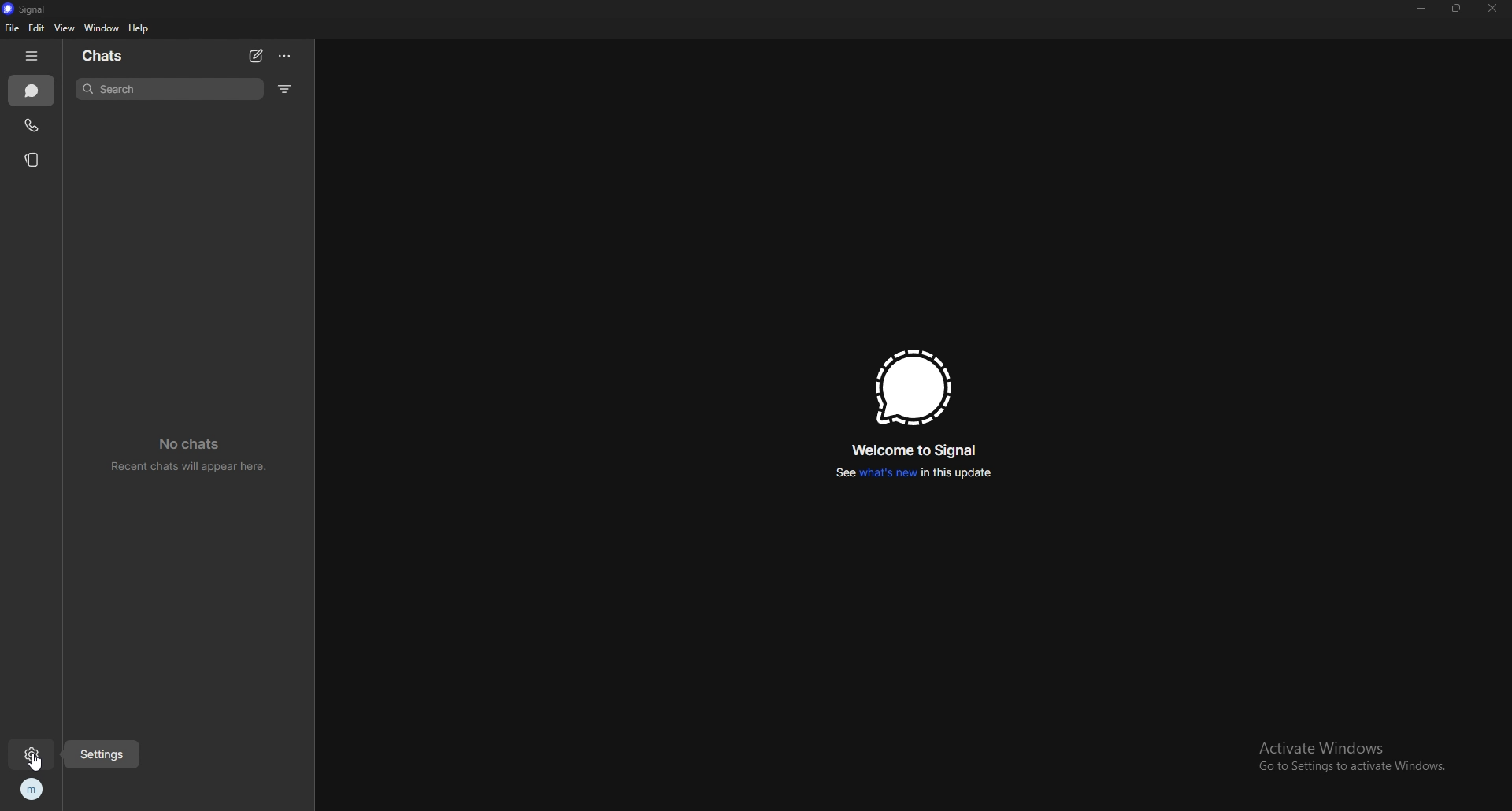 The height and width of the screenshot is (811, 1512). What do you see at coordinates (172, 89) in the screenshot?
I see `search` at bounding box center [172, 89].